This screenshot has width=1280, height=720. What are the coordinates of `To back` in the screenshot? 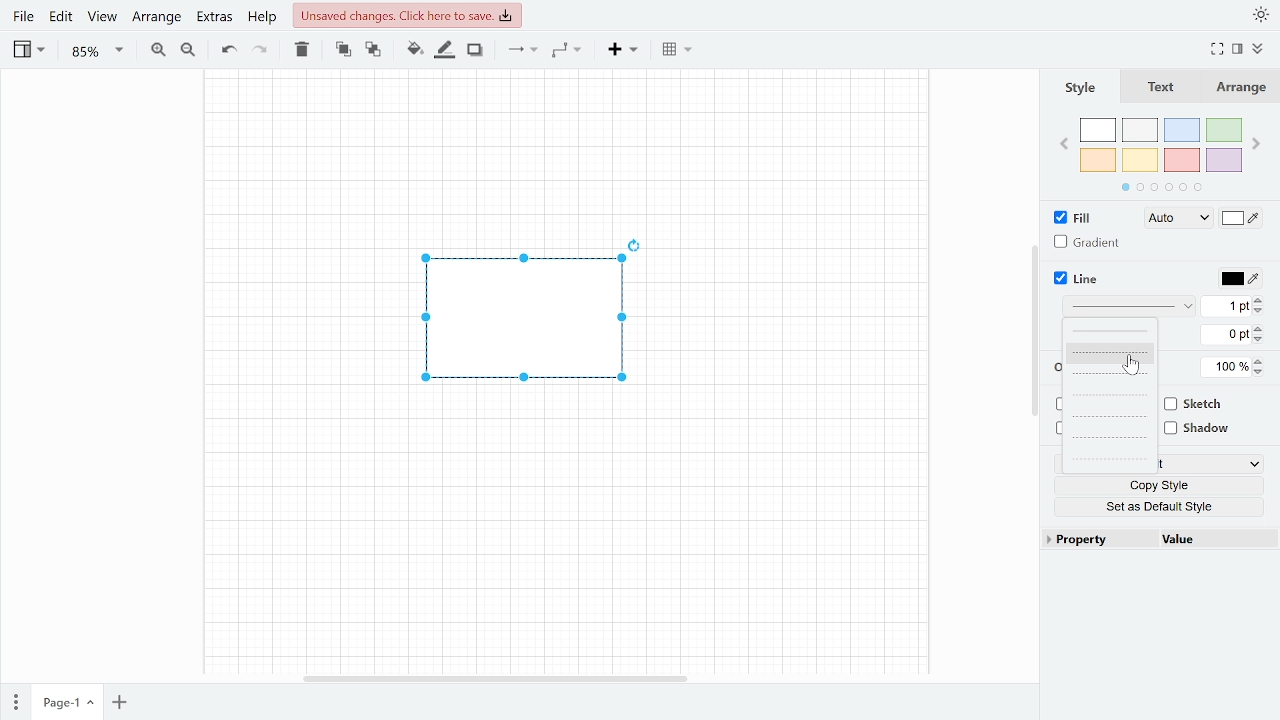 It's located at (372, 51).